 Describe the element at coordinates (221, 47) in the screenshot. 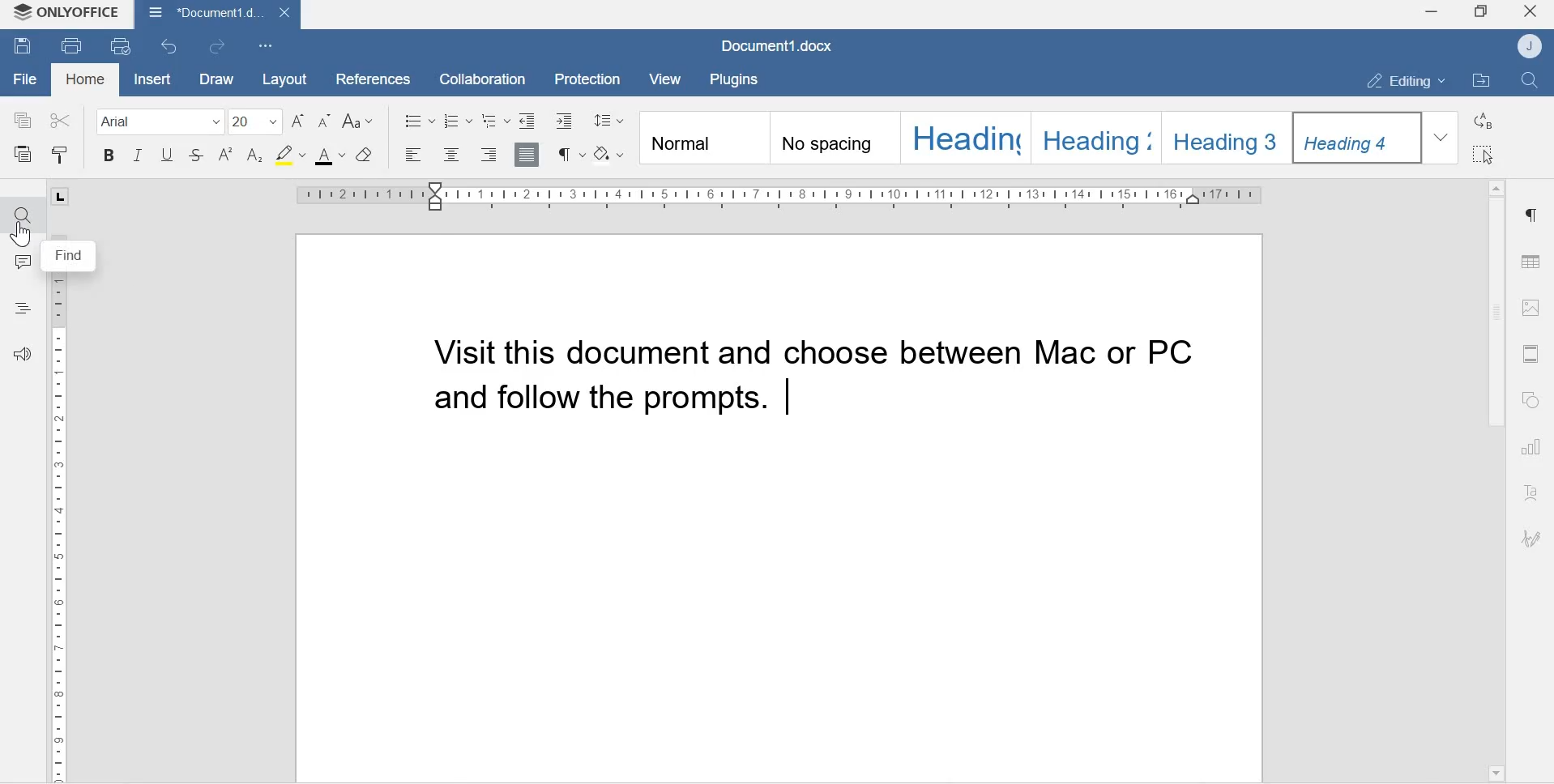

I see `Redo` at that location.